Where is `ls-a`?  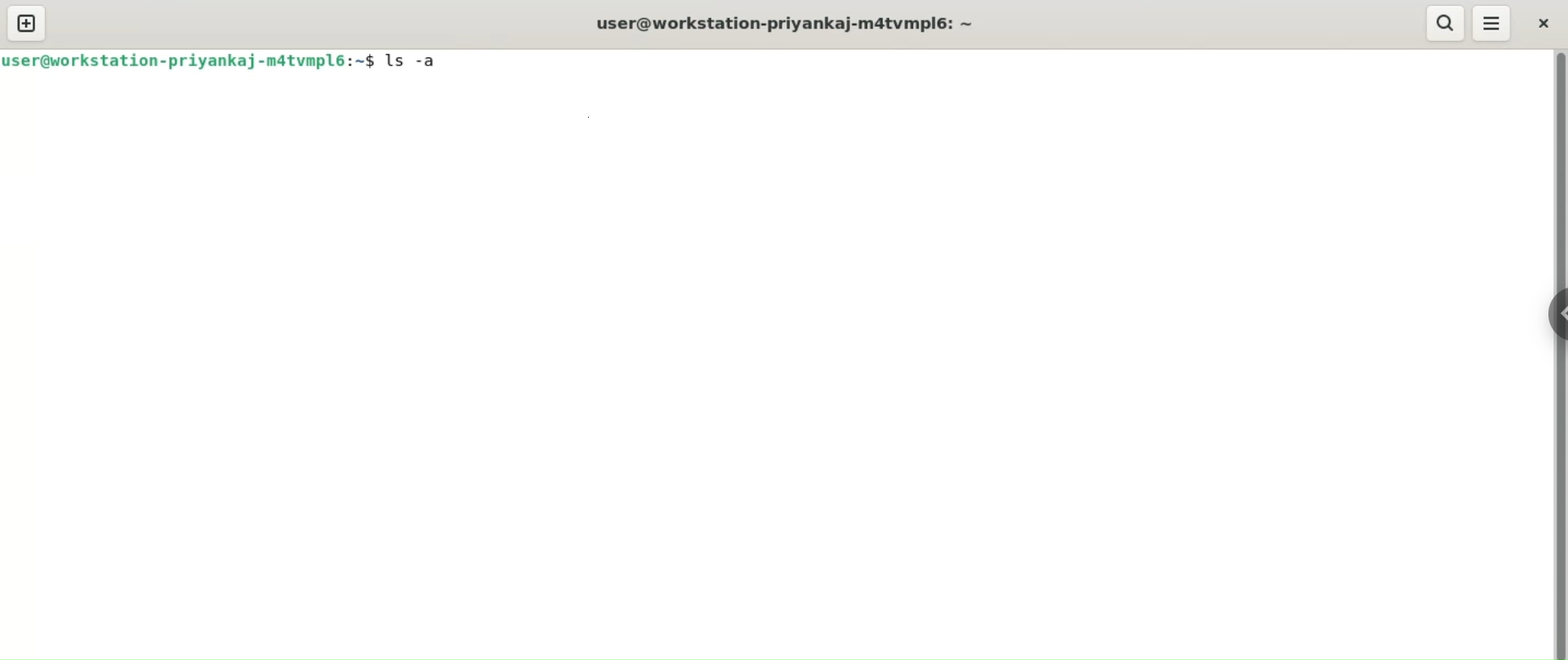 ls-a is located at coordinates (414, 60).